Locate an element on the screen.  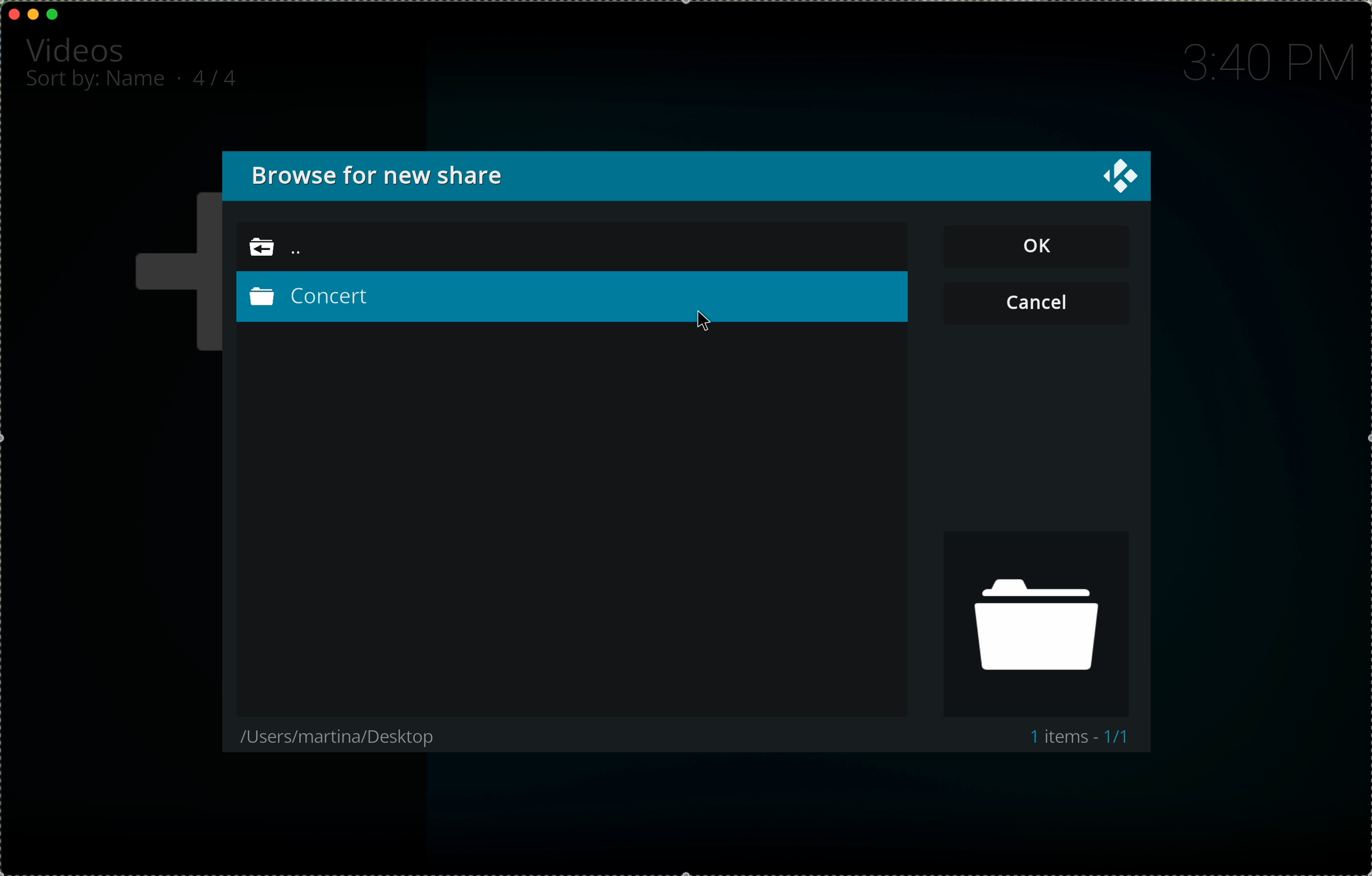
folder icon is located at coordinates (1038, 624).